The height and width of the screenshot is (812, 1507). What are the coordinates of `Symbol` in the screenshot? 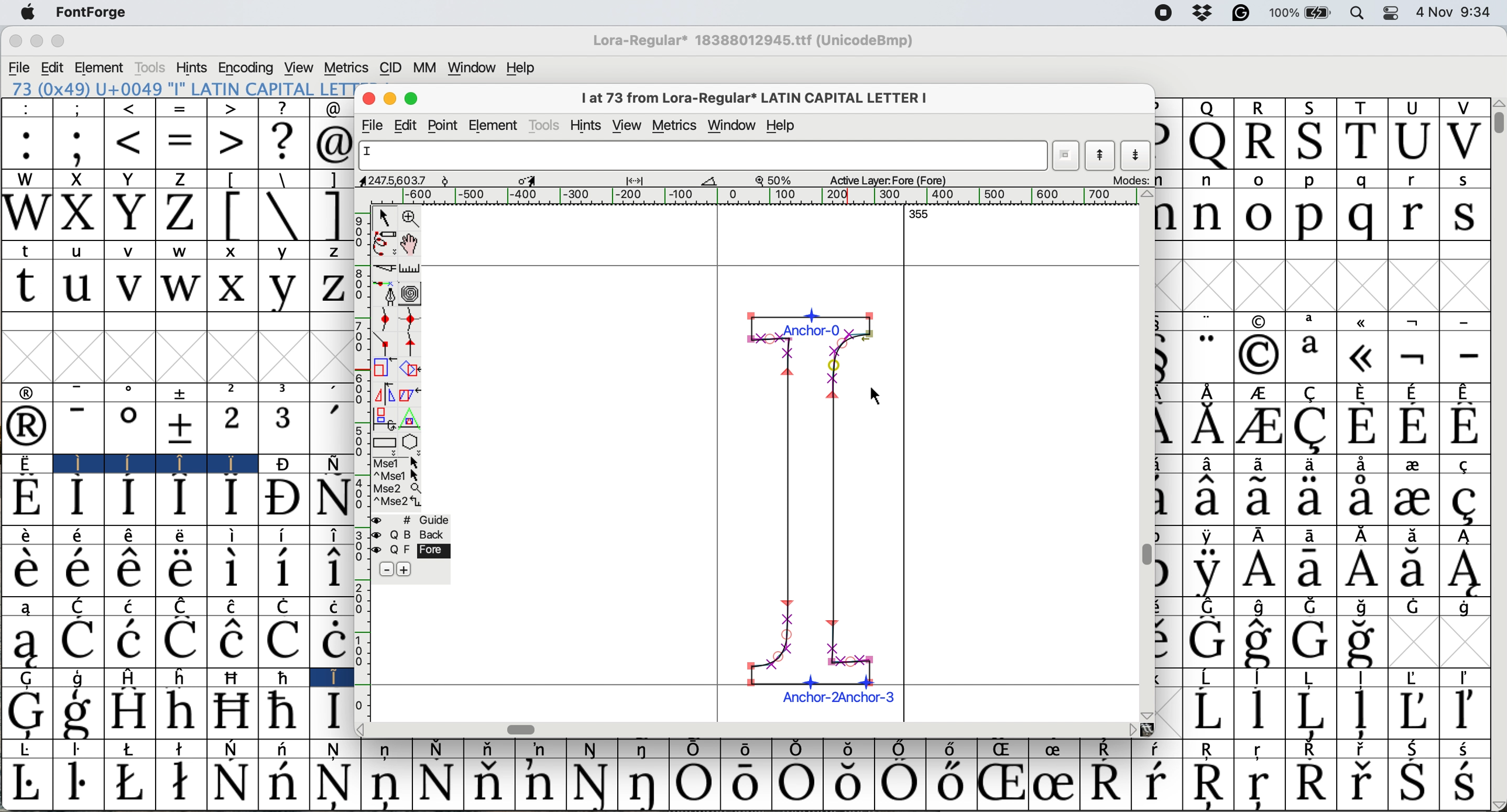 It's located at (129, 711).